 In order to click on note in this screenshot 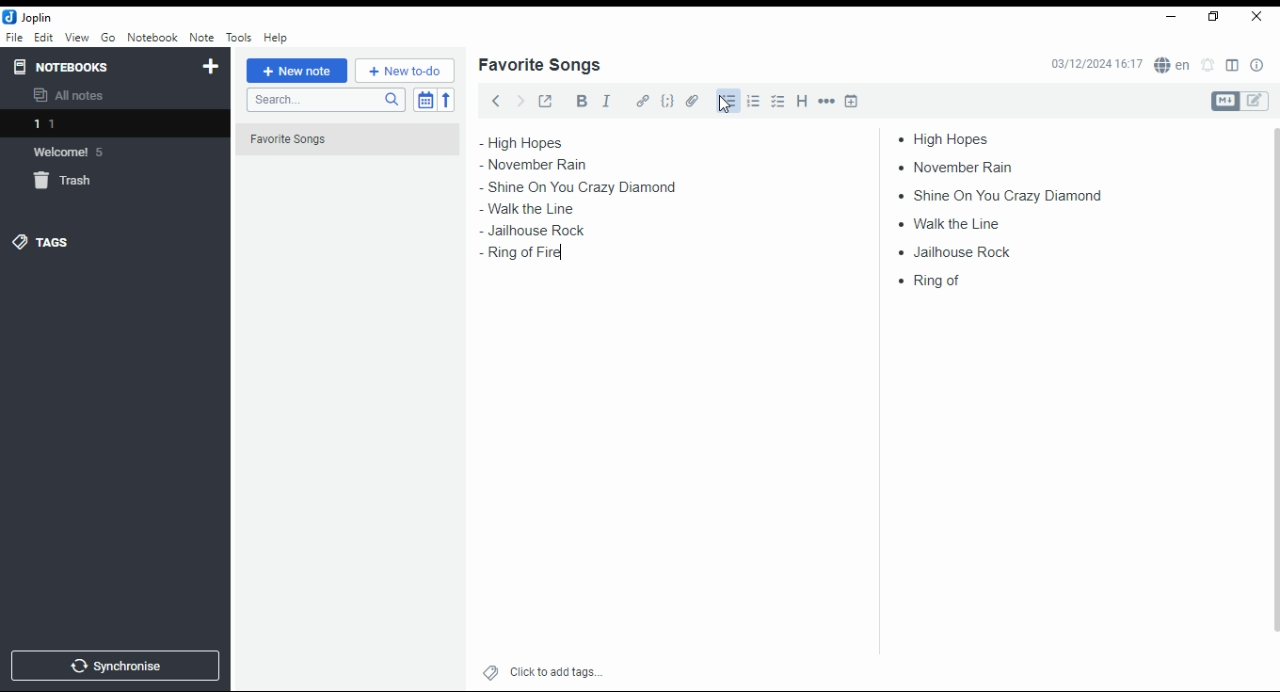, I will do `click(201, 37)`.